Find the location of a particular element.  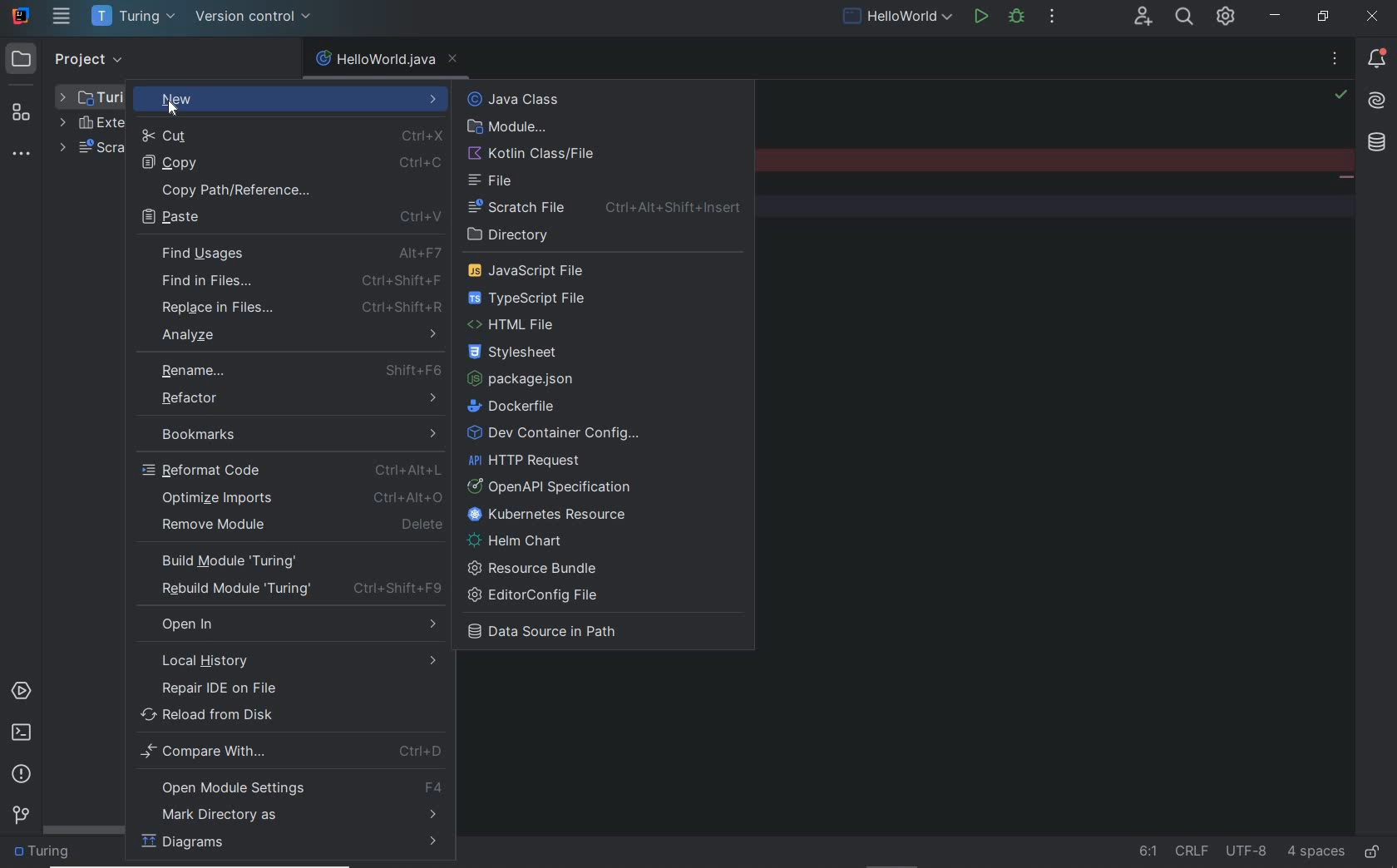

scrollbar is located at coordinates (86, 831).